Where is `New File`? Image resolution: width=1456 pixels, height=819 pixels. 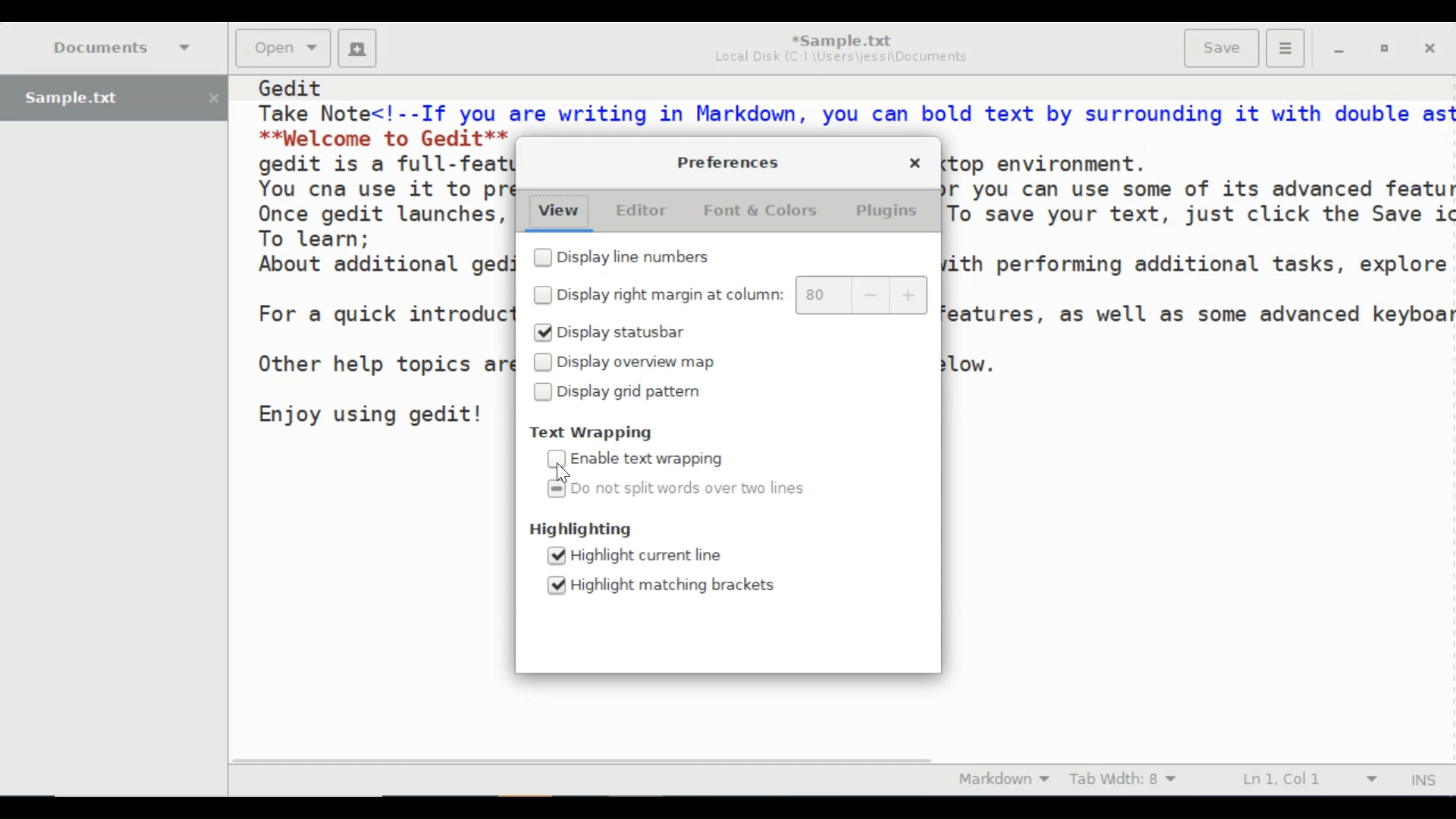
New File is located at coordinates (354, 49).